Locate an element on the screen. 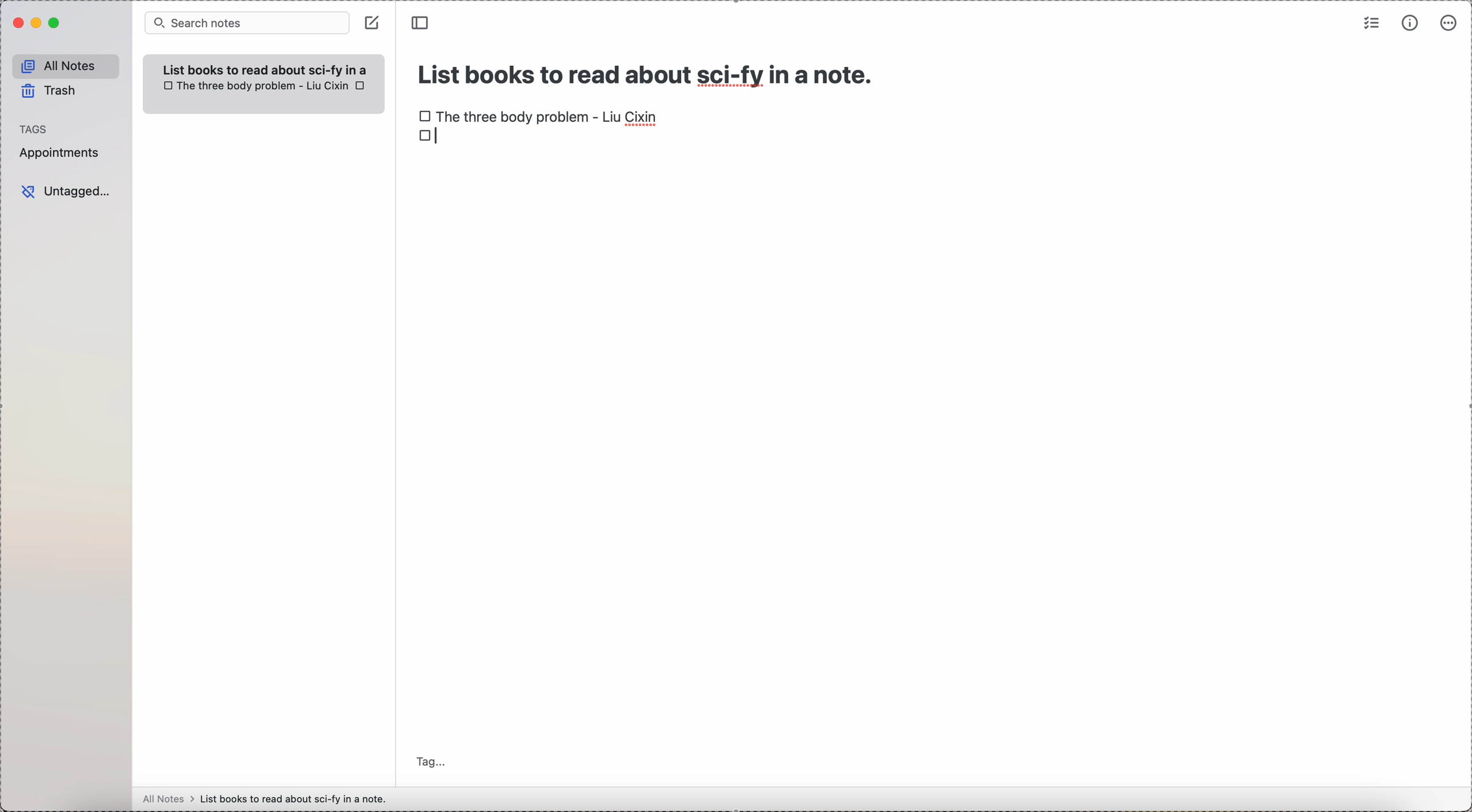 Image resolution: width=1472 pixels, height=812 pixels. checkbox The Three body problem - Liu Cixin book is located at coordinates (539, 114).